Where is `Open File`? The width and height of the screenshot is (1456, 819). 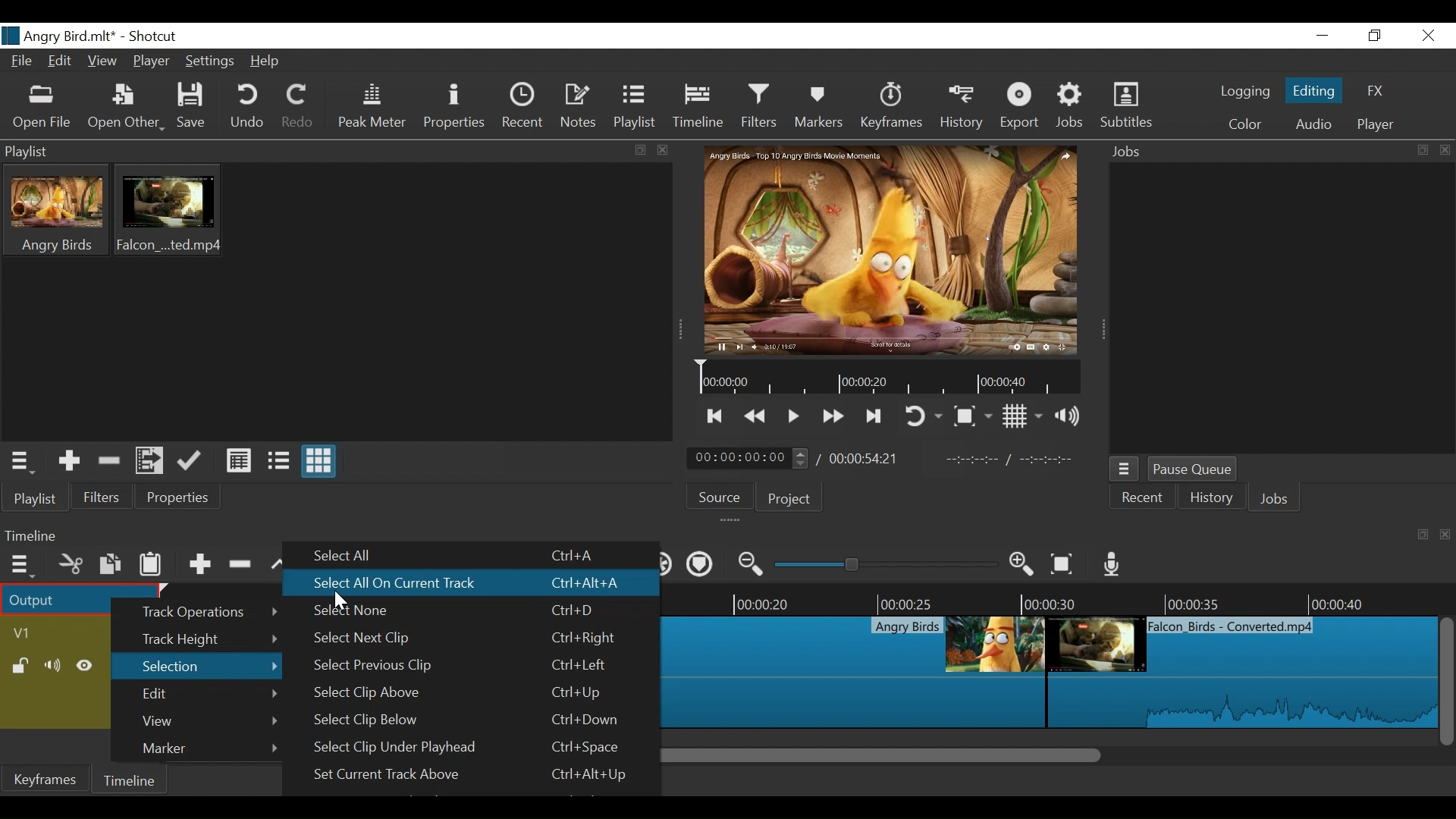
Open File is located at coordinates (126, 108).